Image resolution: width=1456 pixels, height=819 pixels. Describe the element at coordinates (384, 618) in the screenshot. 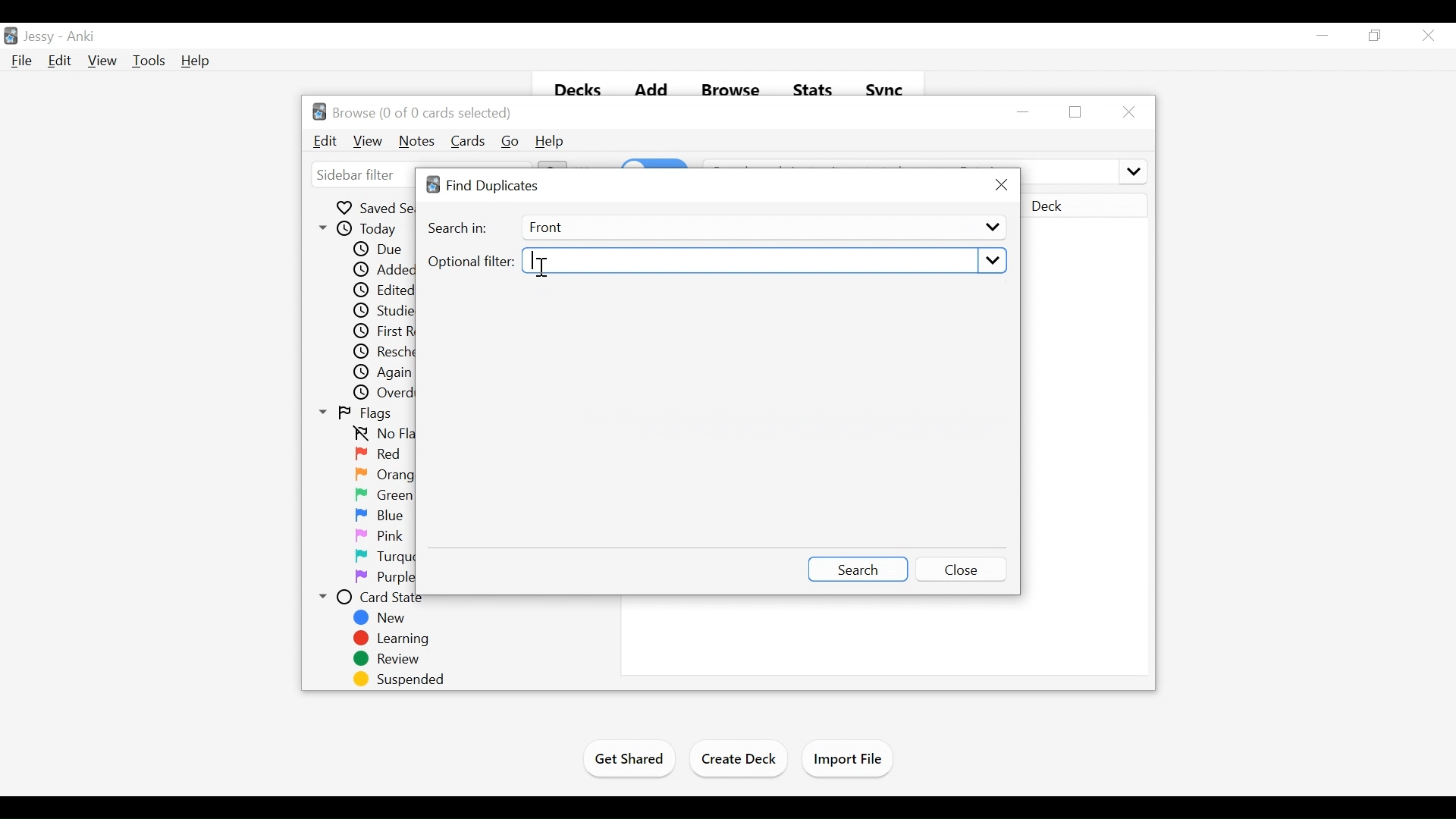

I see `New` at that location.